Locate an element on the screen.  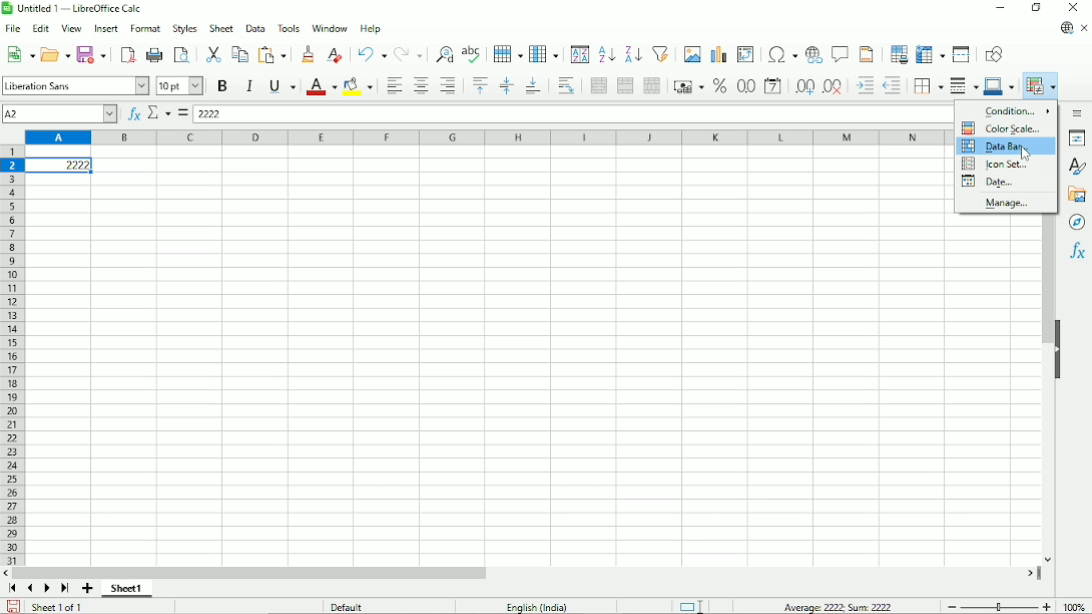
Print is located at coordinates (154, 55).